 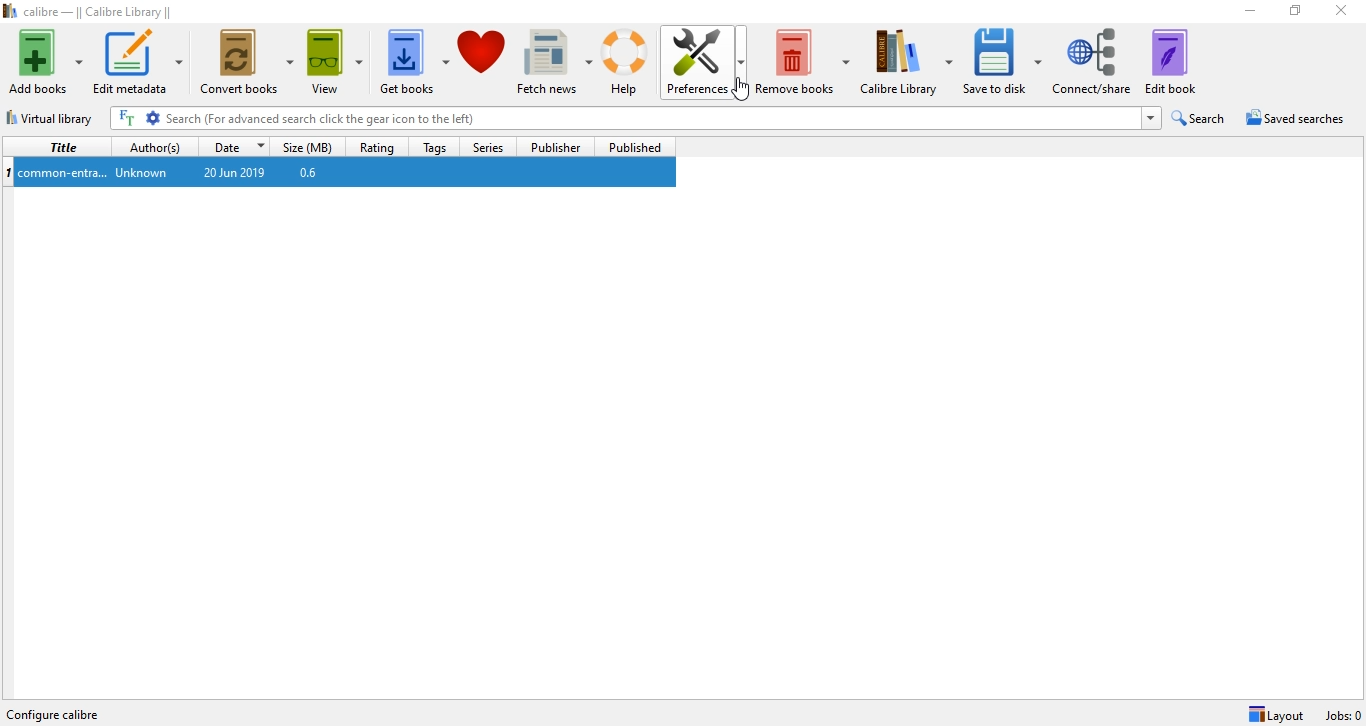 I want to click on Series, so click(x=485, y=145).